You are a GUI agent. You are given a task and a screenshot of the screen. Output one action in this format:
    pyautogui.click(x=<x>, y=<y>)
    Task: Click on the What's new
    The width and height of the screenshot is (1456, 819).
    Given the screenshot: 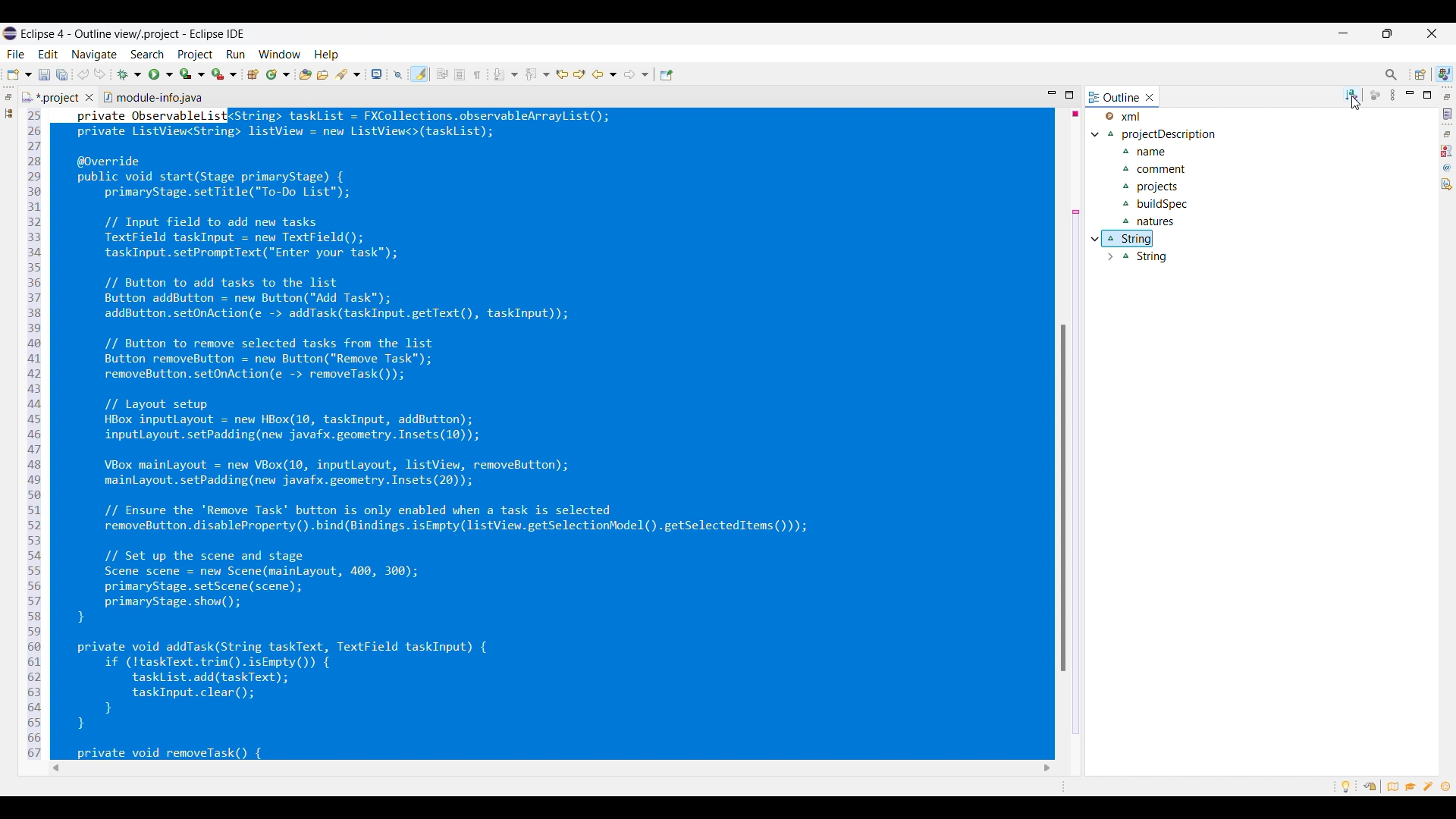 What is the action you would take?
    pyautogui.click(x=1445, y=786)
    